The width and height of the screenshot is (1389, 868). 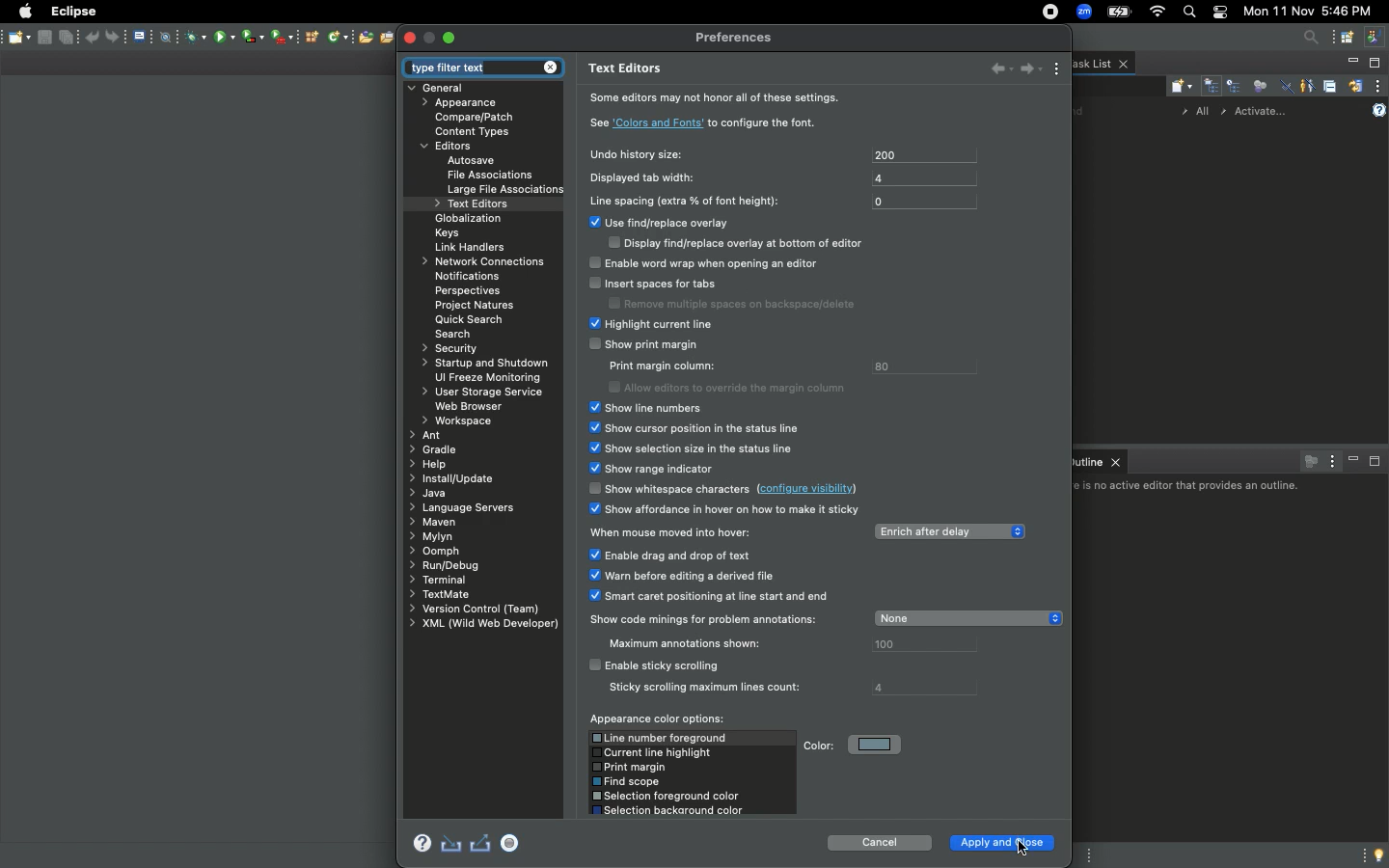 What do you see at coordinates (429, 39) in the screenshot?
I see `maximize` at bounding box center [429, 39].